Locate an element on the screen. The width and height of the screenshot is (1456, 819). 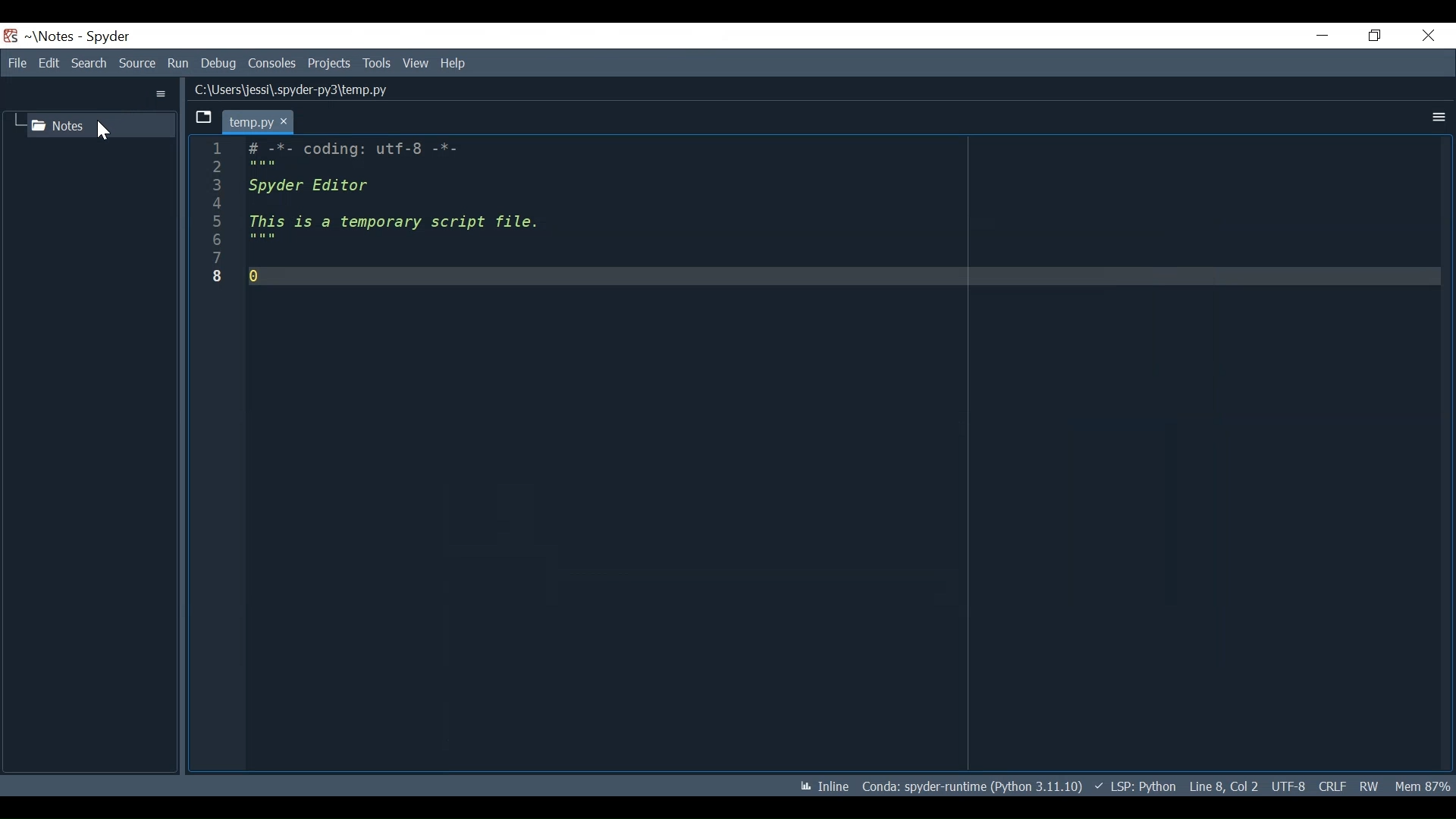
Conda Environment Indicator is located at coordinates (970, 786).